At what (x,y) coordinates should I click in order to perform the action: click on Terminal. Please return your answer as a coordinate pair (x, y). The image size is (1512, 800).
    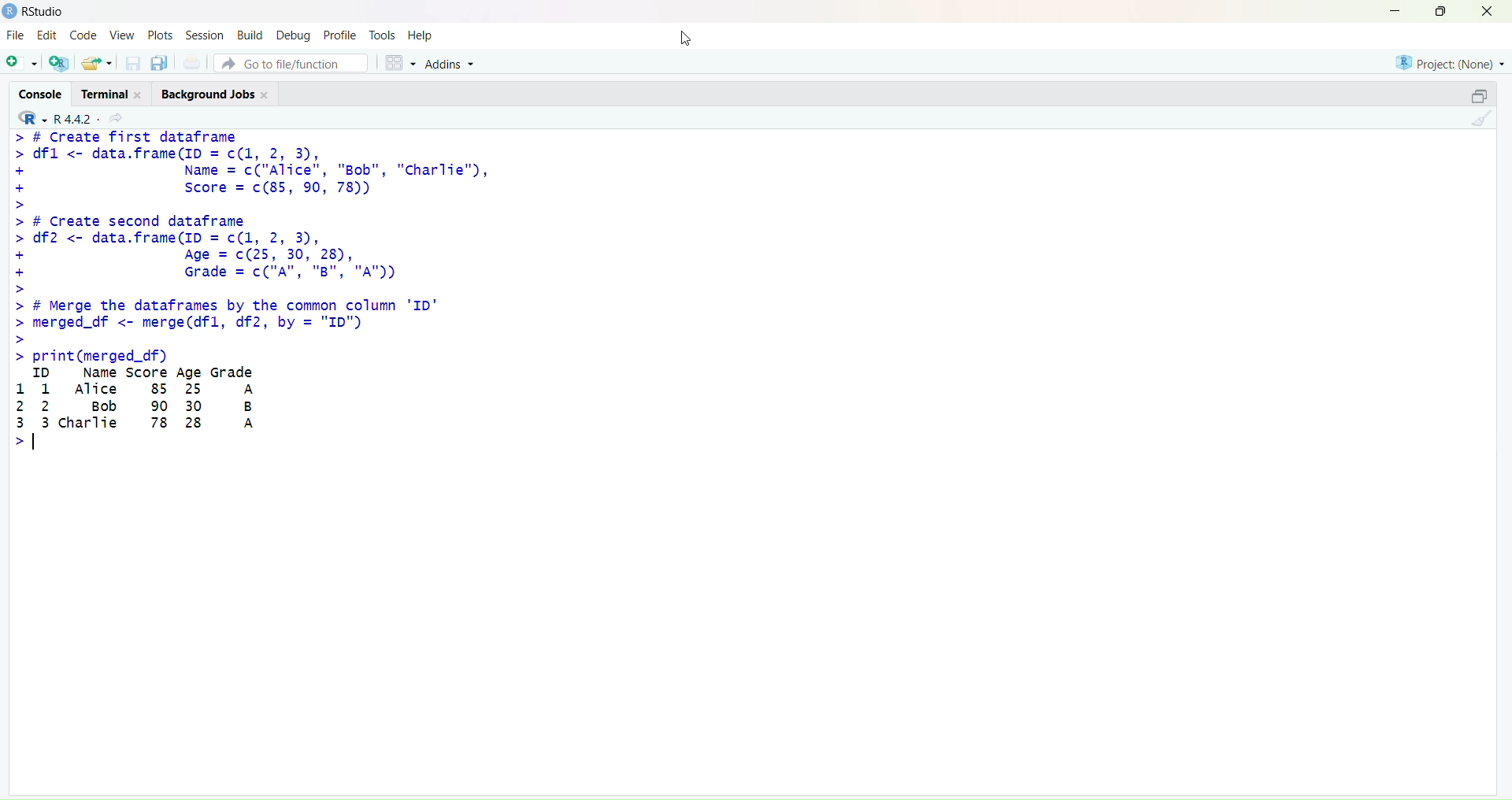
    Looking at the image, I should click on (115, 92).